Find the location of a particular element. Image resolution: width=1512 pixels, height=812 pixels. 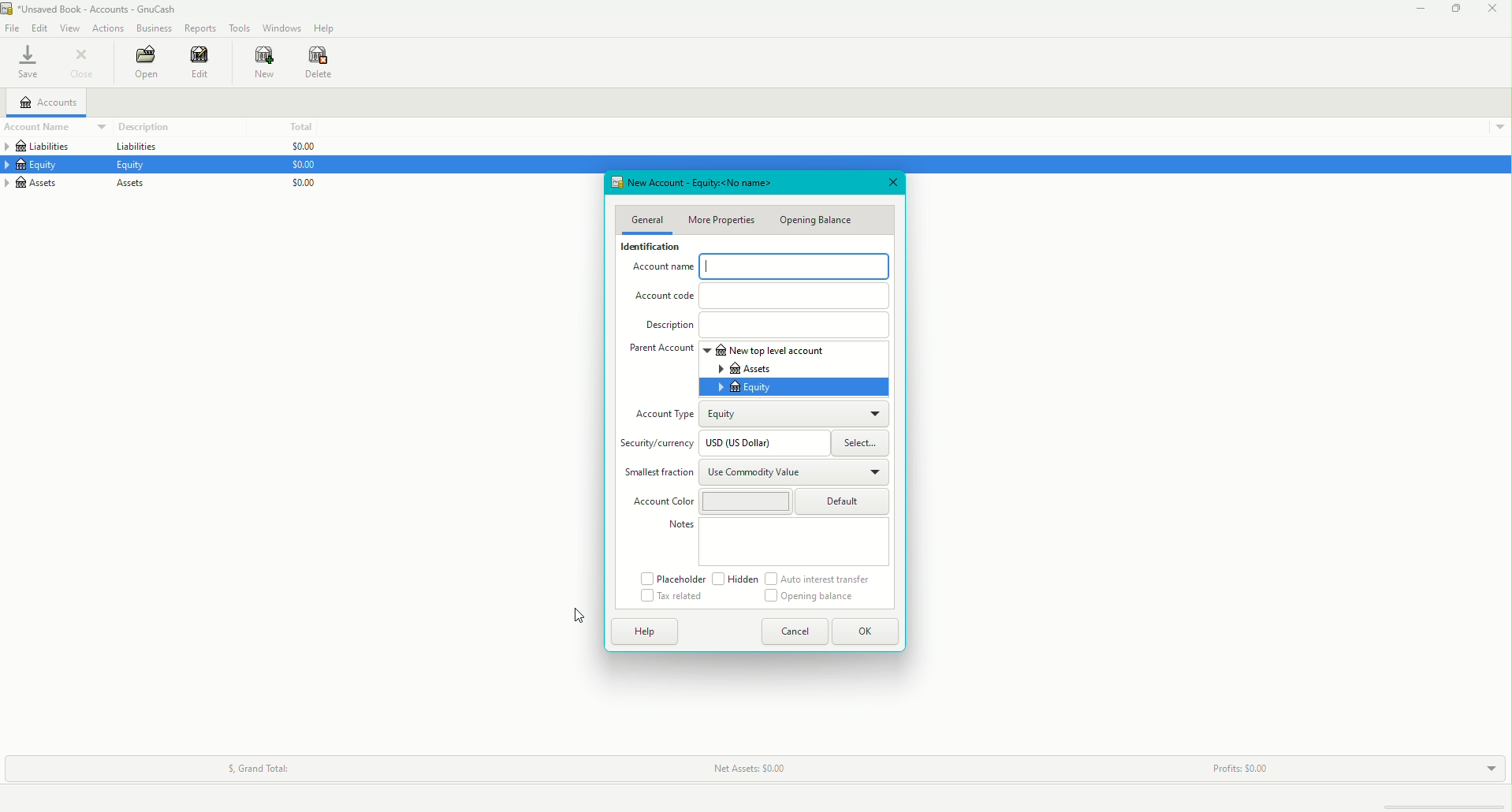

Opening Balance is located at coordinates (816, 598).